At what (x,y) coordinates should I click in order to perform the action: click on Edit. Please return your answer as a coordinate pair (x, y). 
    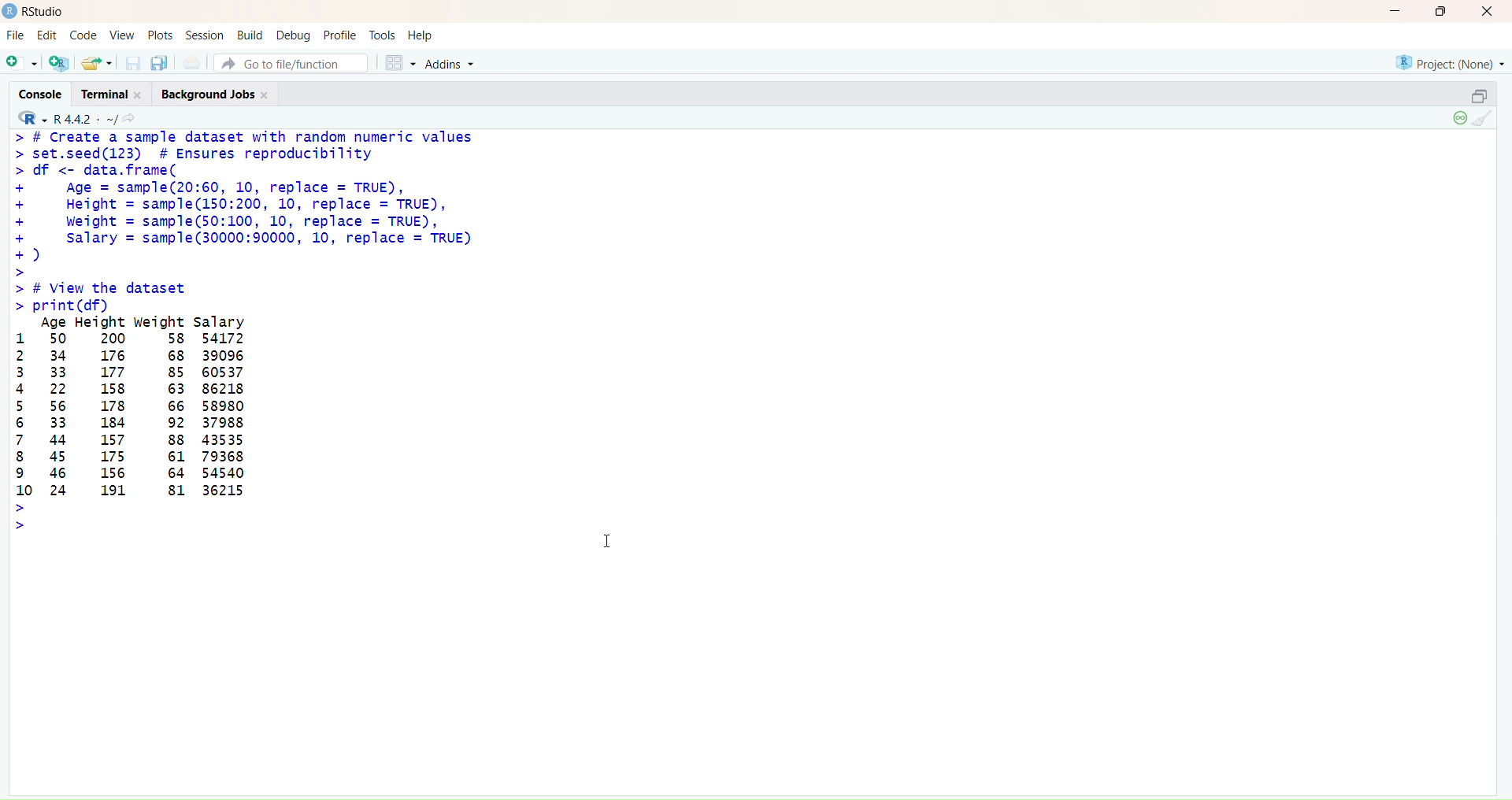
    Looking at the image, I should click on (48, 36).